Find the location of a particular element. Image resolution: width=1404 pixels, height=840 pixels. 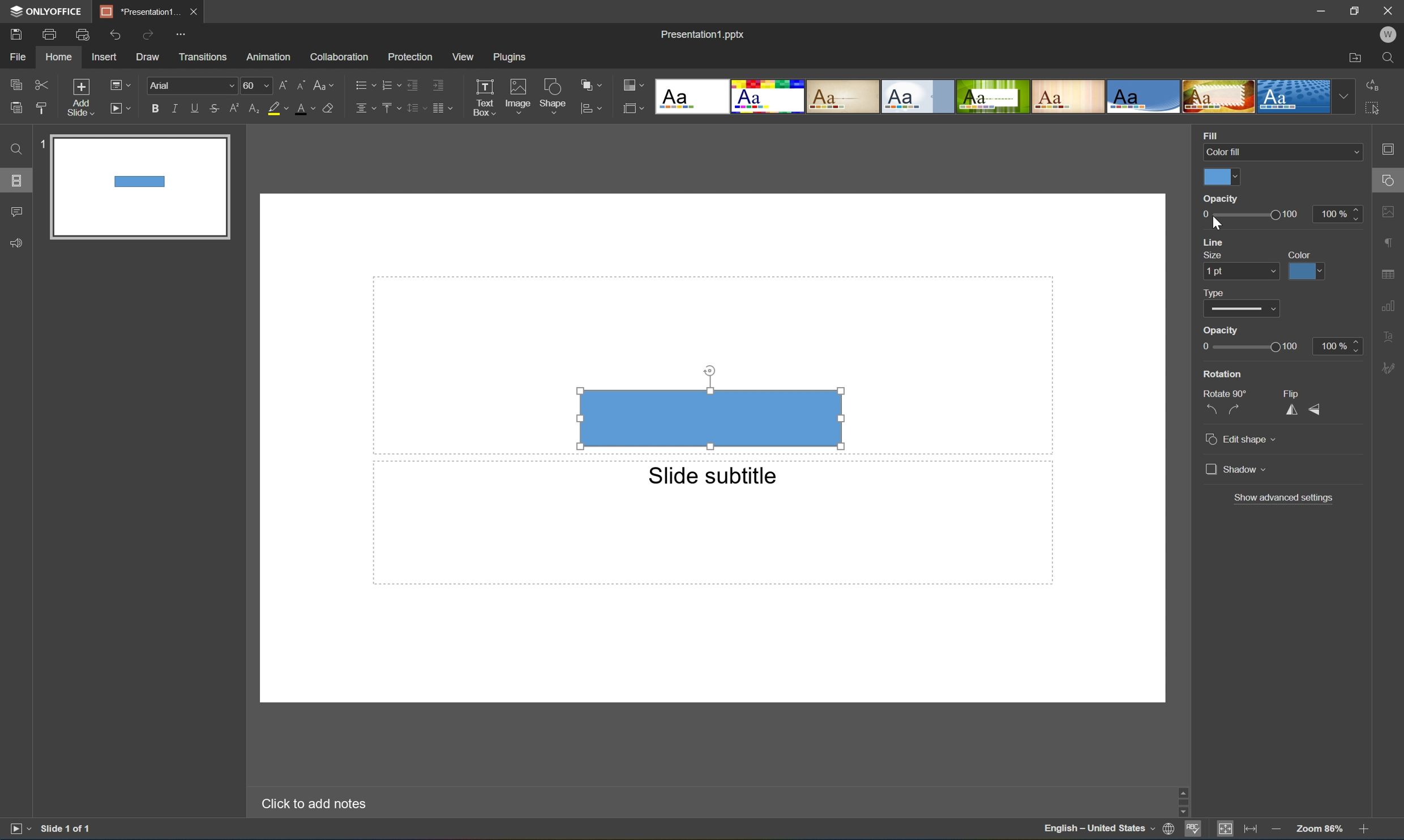

table settings is located at coordinates (1389, 272).